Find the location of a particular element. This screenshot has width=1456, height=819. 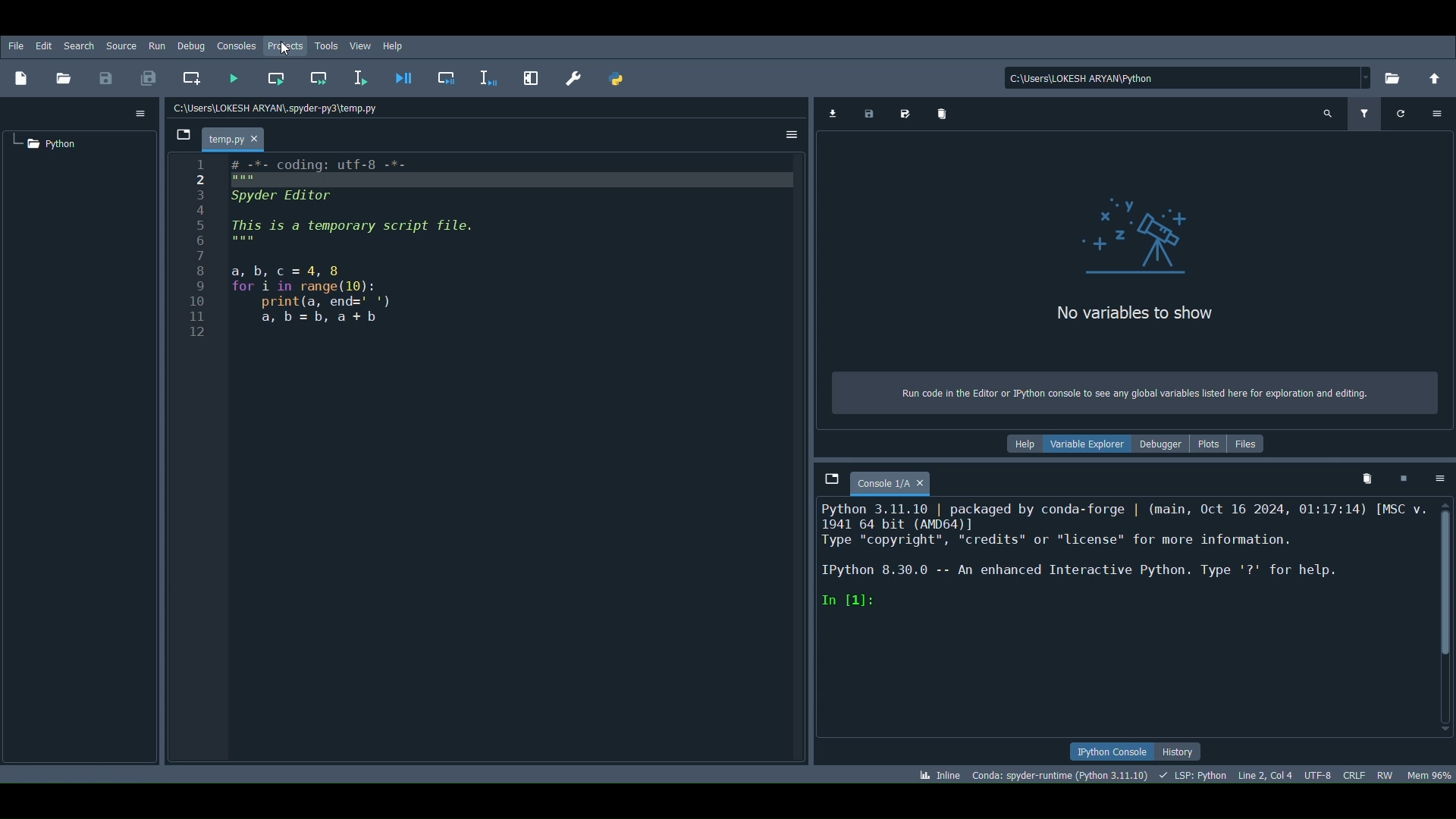

Filter variables is located at coordinates (1366, 114).